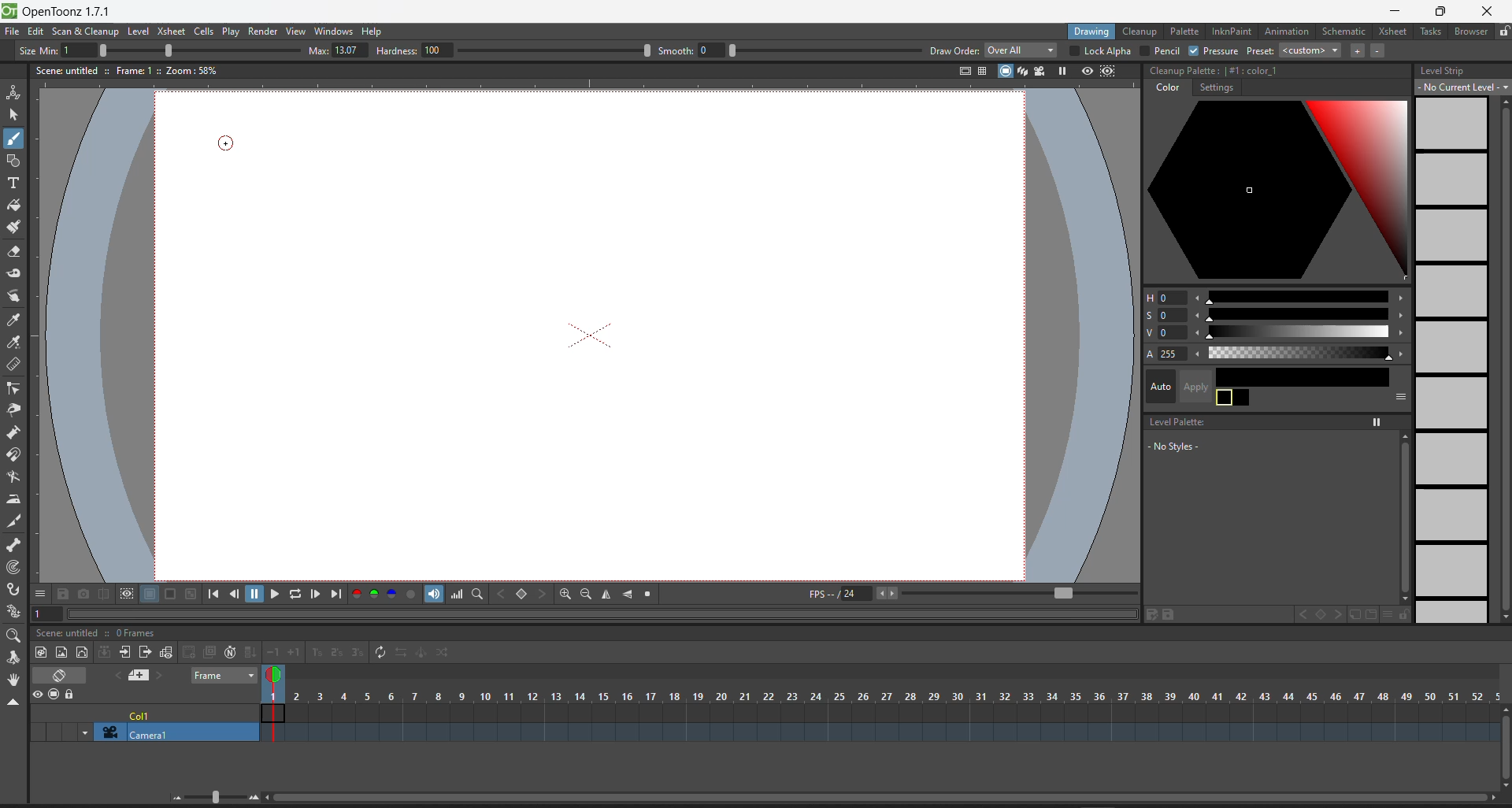  Describe the element at coordinates (421, 652) in the screenshot. I see `swing` at that location.